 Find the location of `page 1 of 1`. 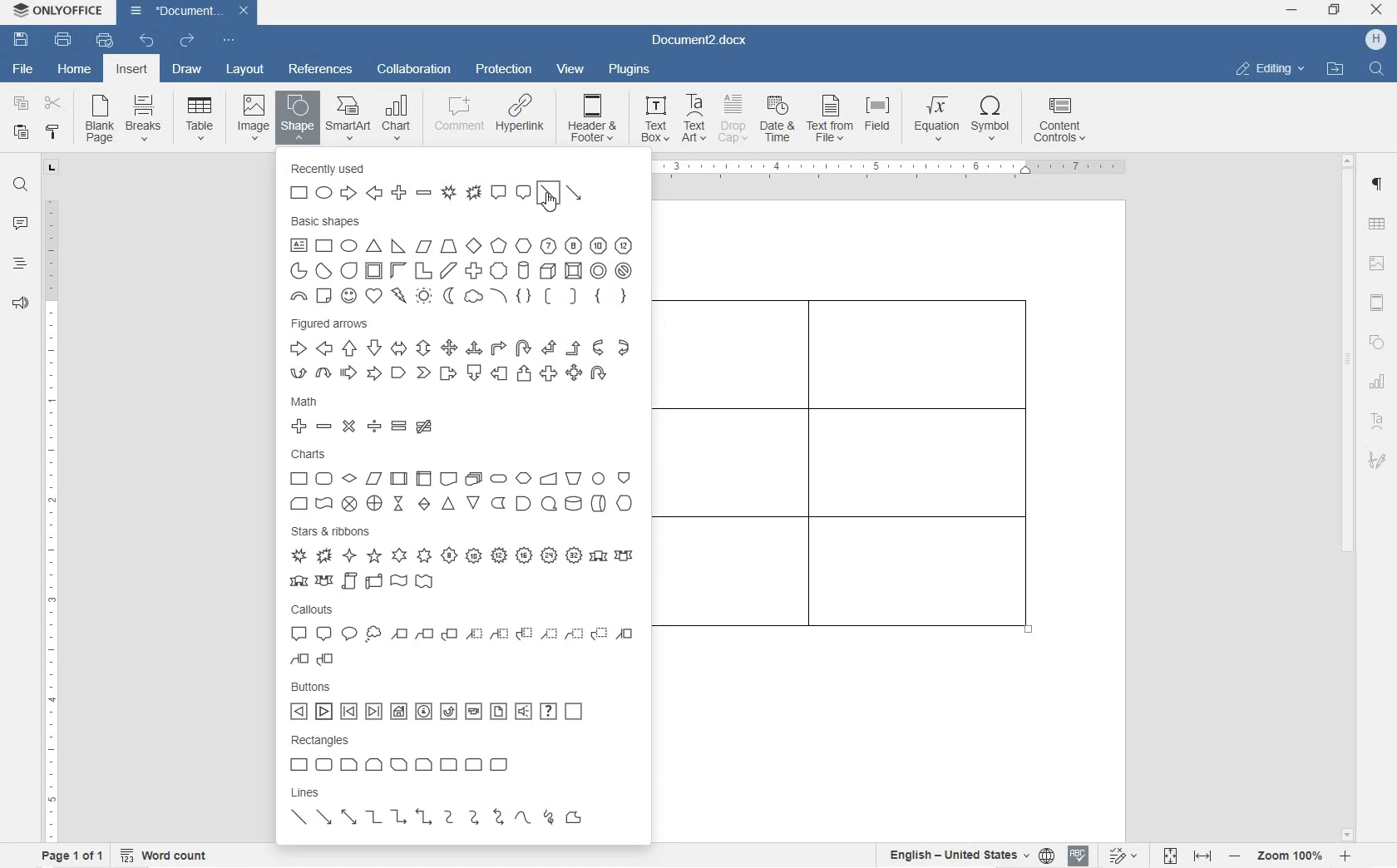

page 1 of 1 is located at coordinates (70, 856).